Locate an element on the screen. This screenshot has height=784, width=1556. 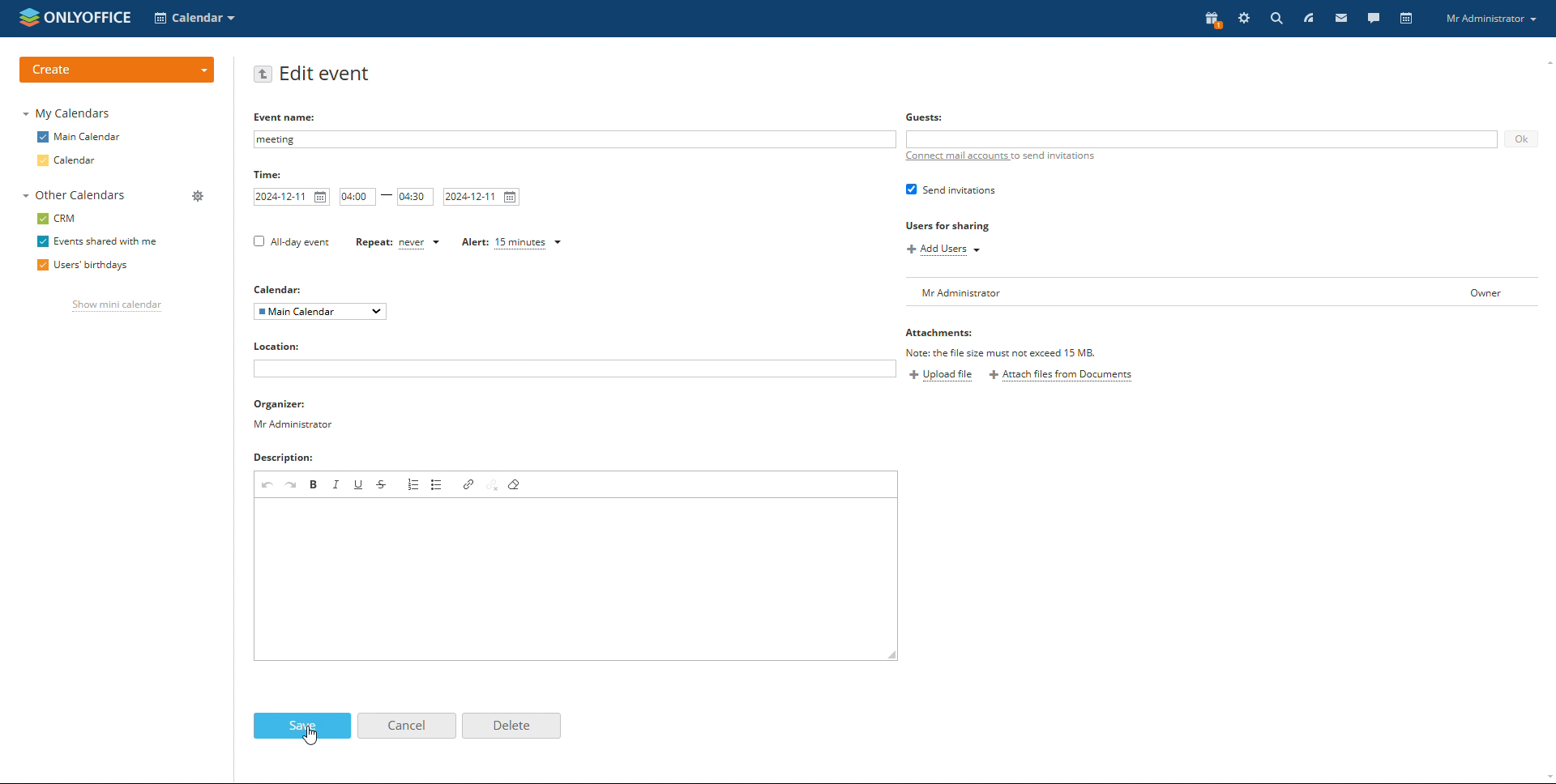
underline is located at coordinates (359, 484).